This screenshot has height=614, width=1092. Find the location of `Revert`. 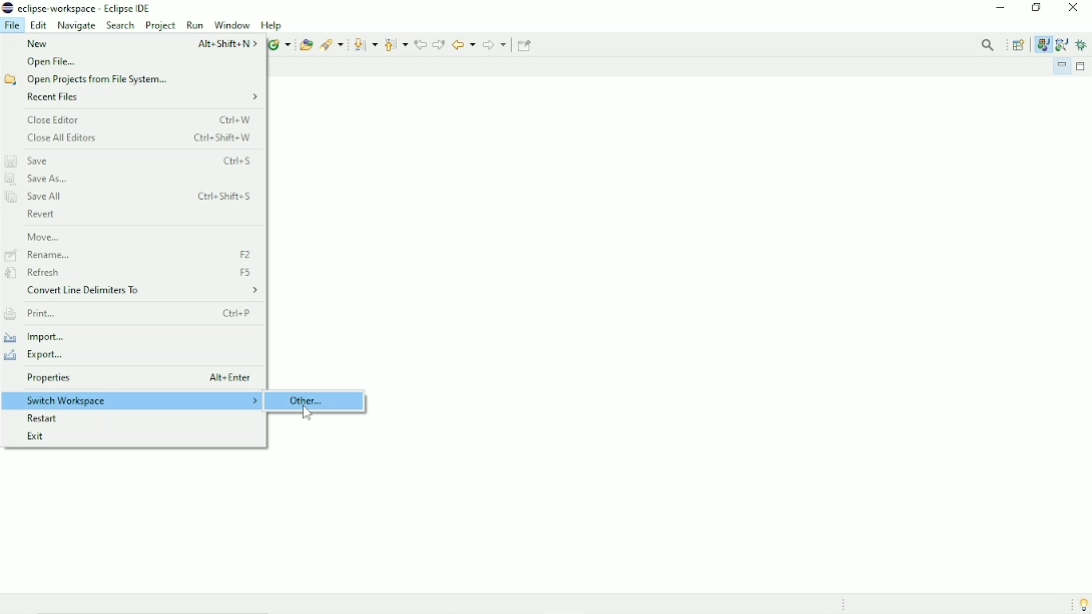

Revert is located at coordinates (41, 215).